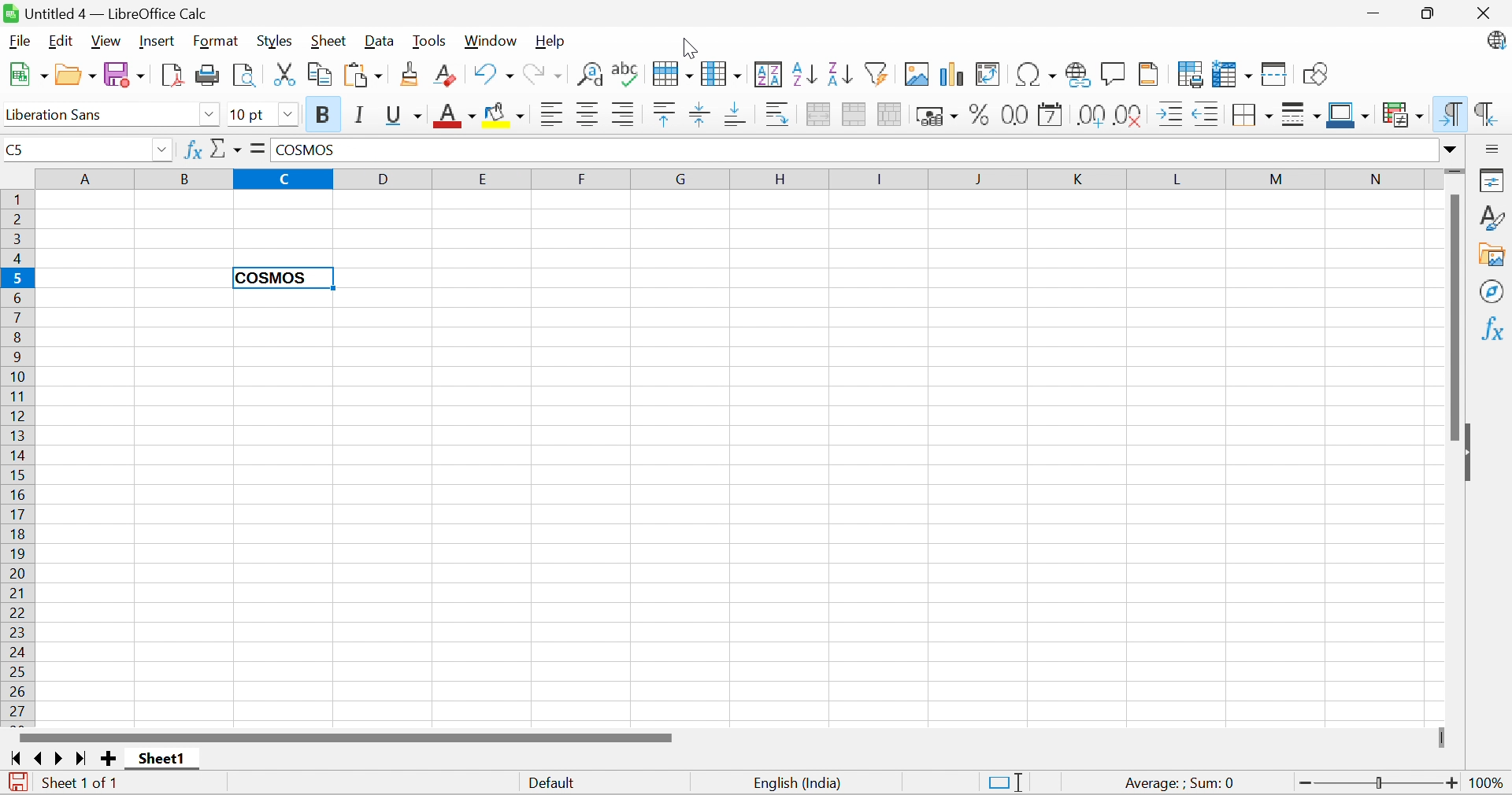  Describe the element at coordinates (1452, 114) in the screenshot. I see `Left-To-Right` at that location.